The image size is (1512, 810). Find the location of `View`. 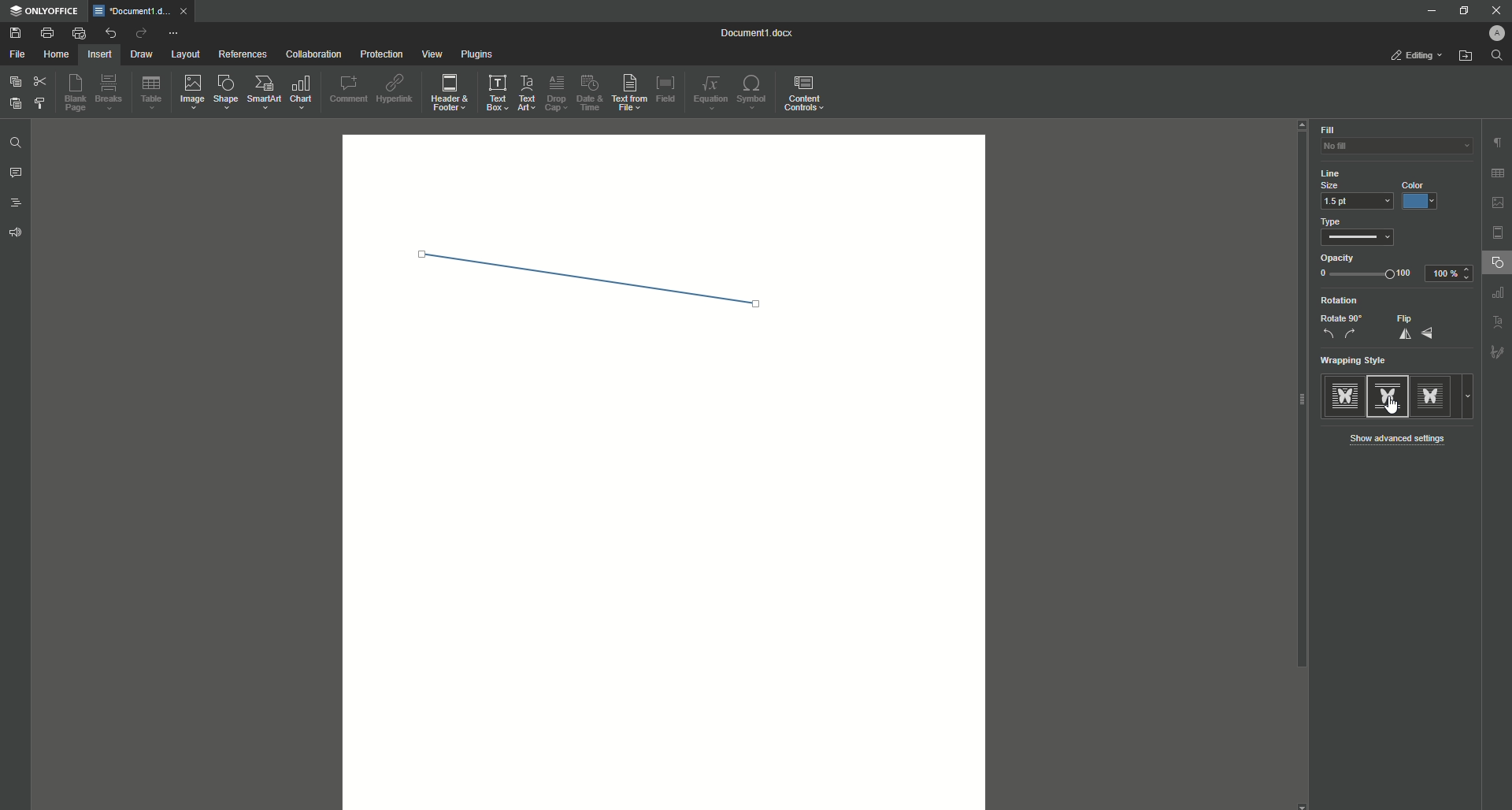

View is located at coordinates (431, 54).